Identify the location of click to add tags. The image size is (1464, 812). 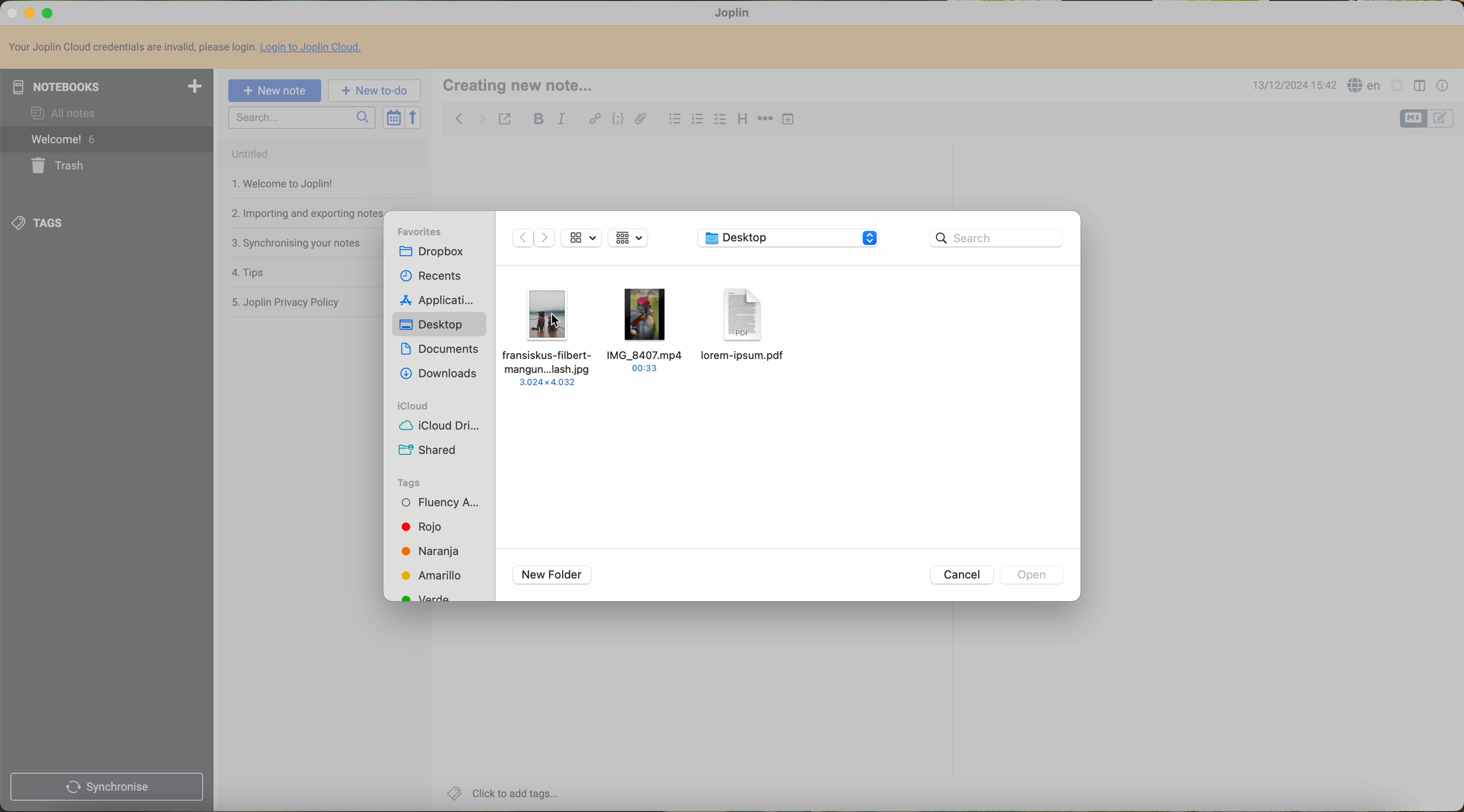
(505, 793).